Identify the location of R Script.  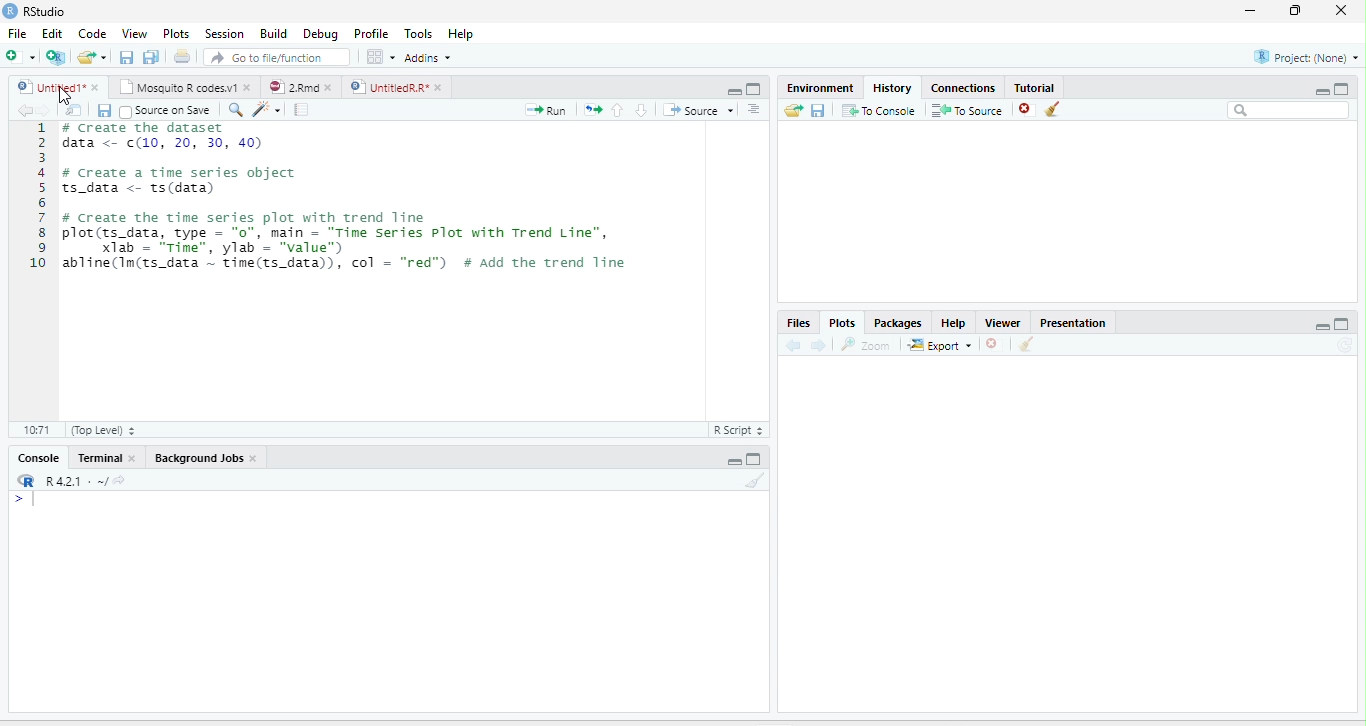
(739, 430).